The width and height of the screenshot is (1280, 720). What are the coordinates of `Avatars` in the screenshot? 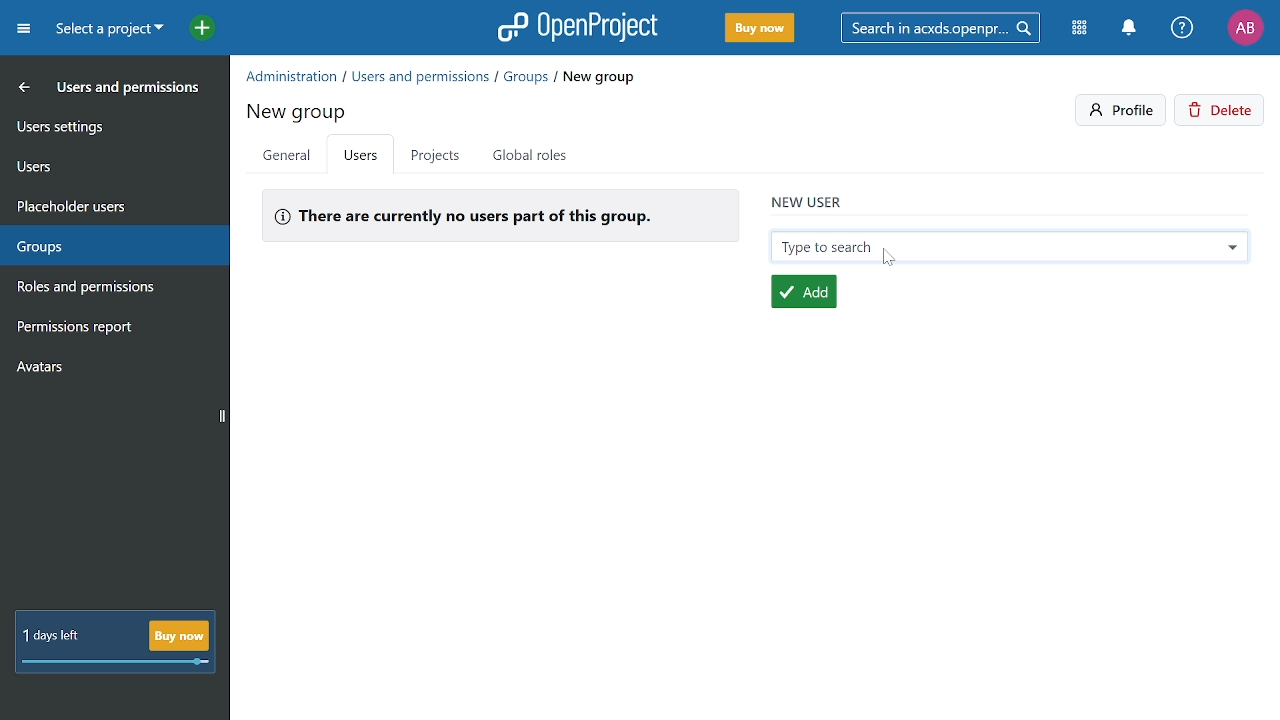 It's located at (111, 371).